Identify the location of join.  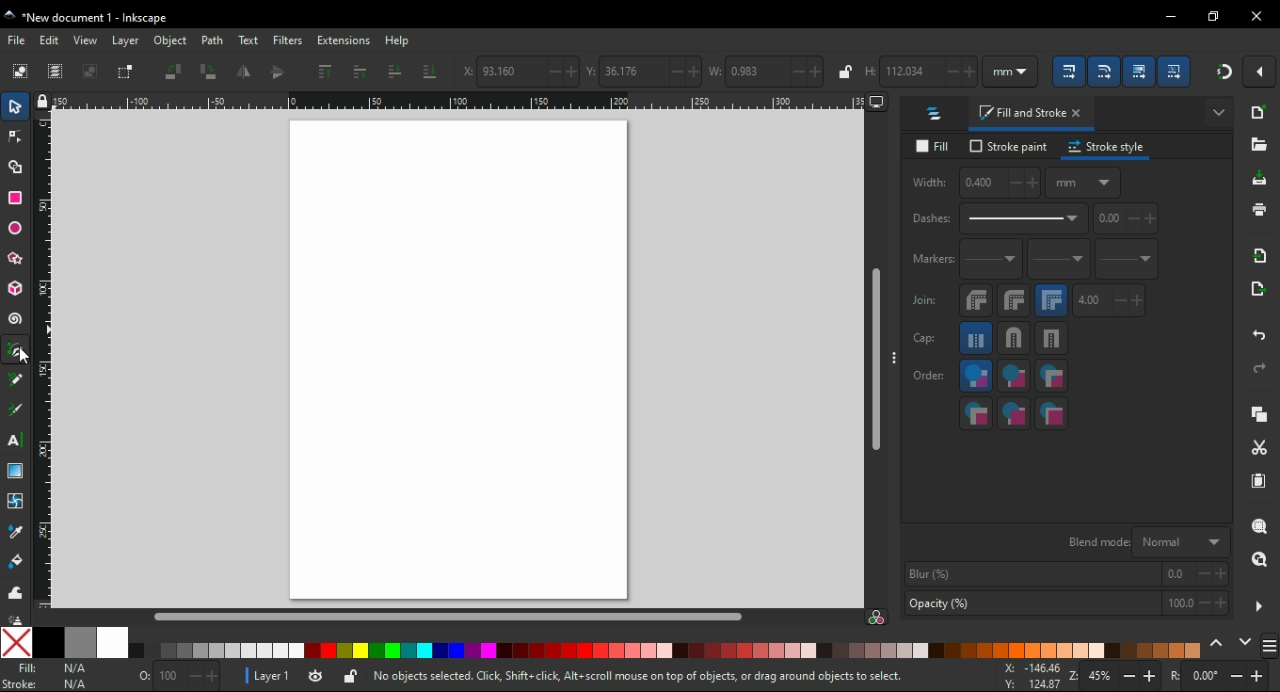
(924, 300).